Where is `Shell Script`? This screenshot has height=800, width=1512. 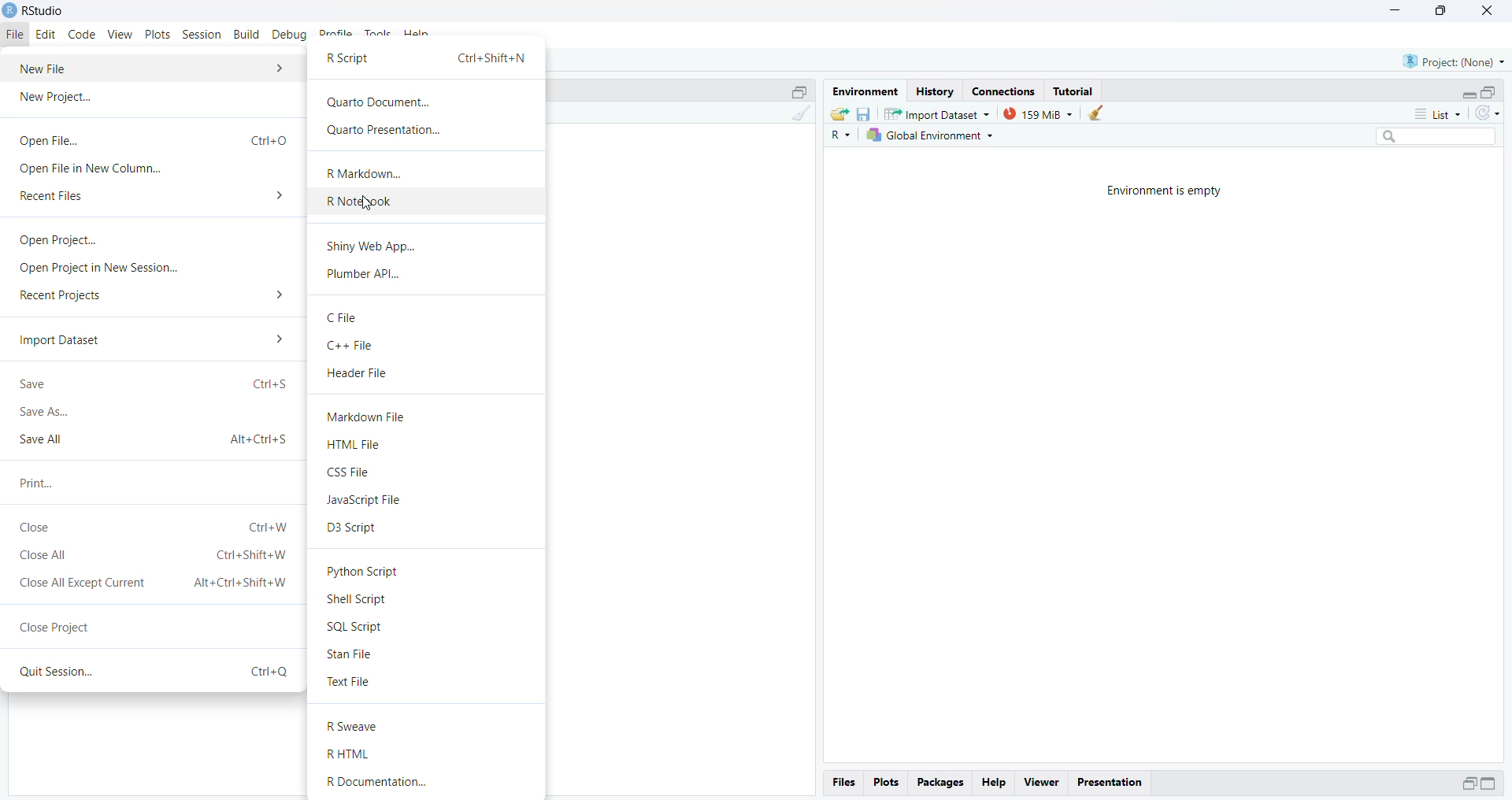
Shell Script is located at coordinates (360, 600).